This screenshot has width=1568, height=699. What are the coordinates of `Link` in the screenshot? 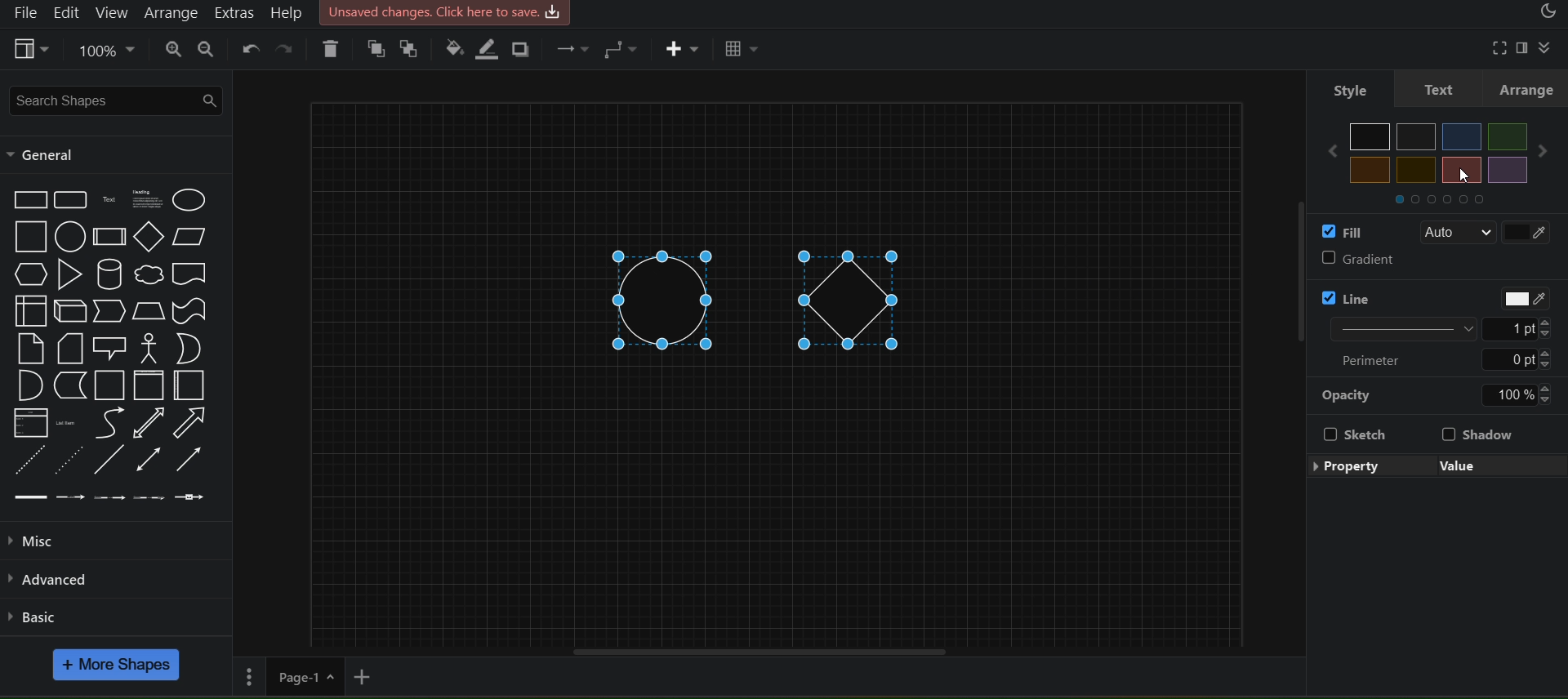 It's located at (31, 497).